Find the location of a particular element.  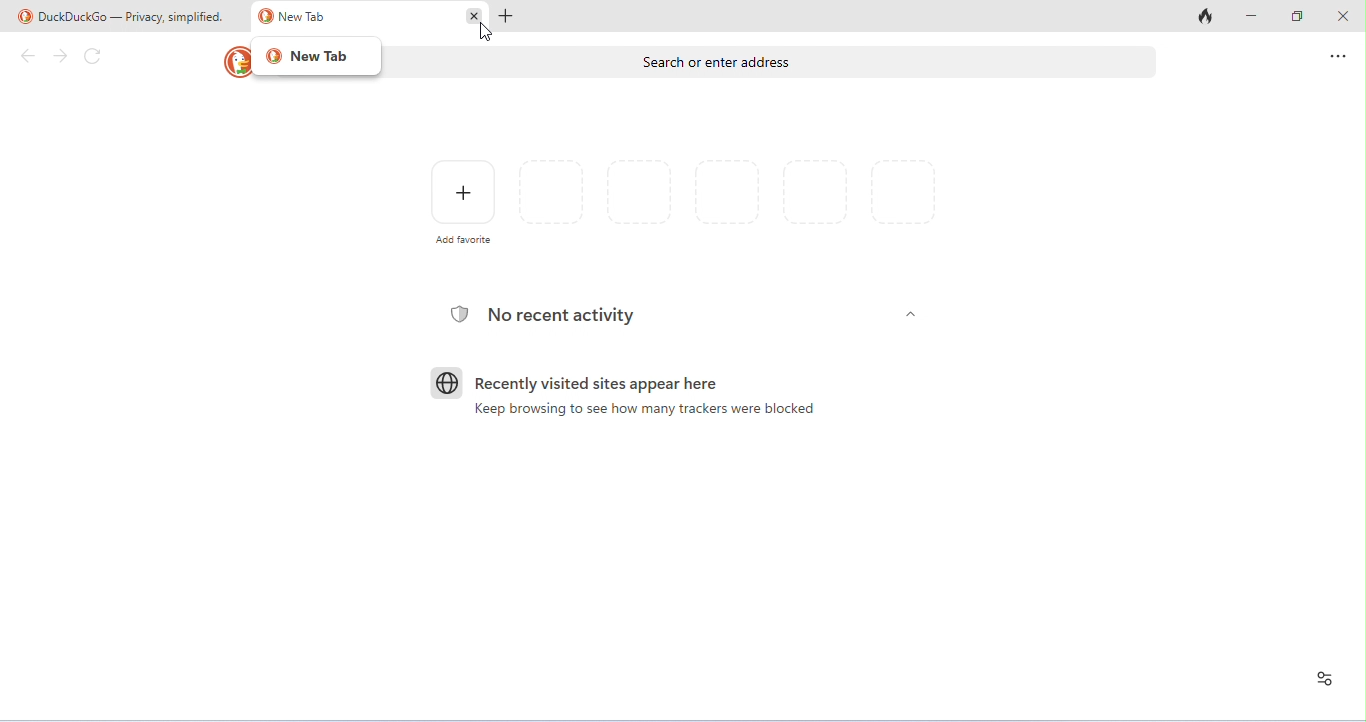

new tab dialog box is located at coordinates (318, 57).